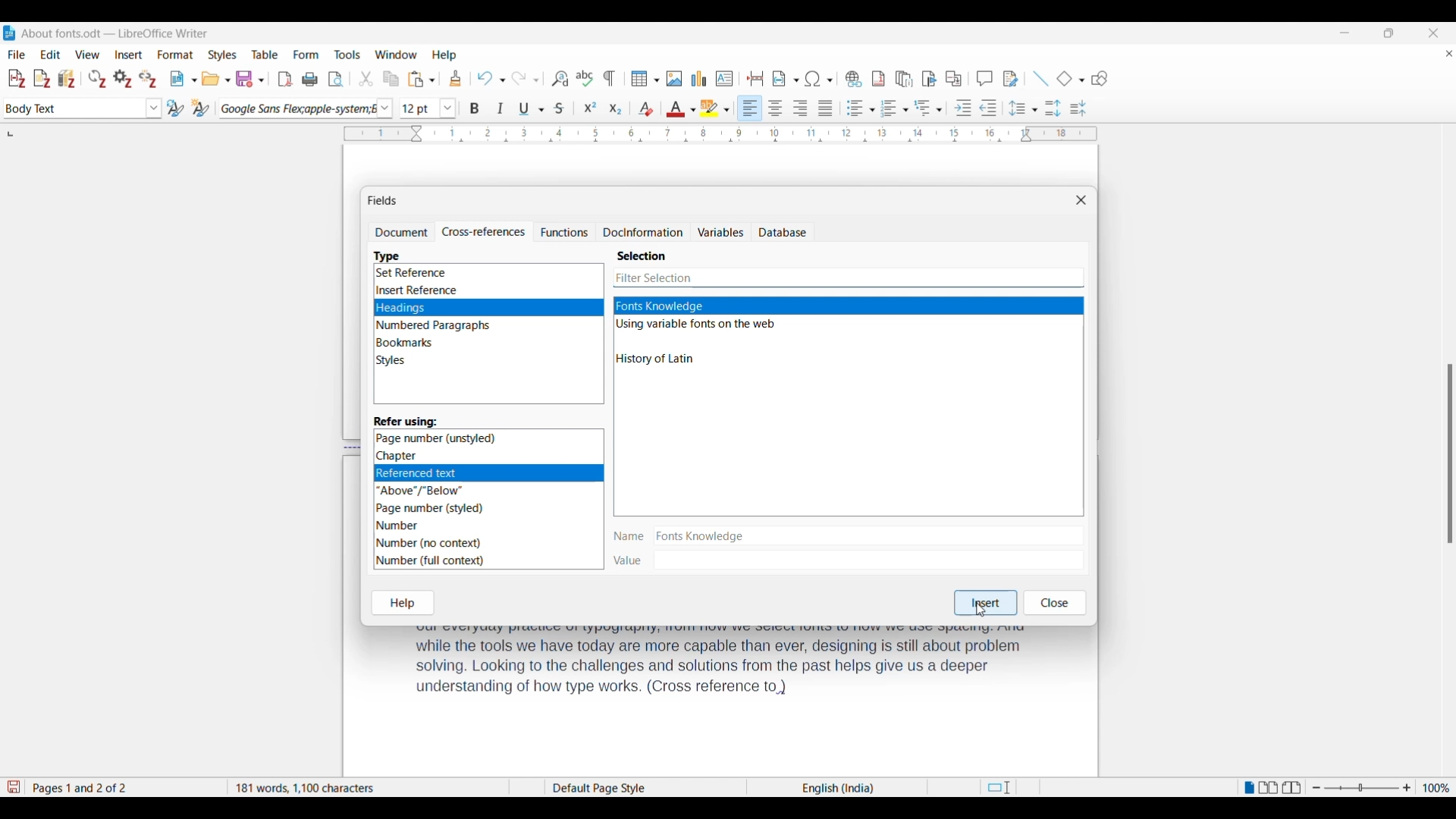 This screenshot has height=819, width=1456. I want to click on Insert line, so click(1040, 79).